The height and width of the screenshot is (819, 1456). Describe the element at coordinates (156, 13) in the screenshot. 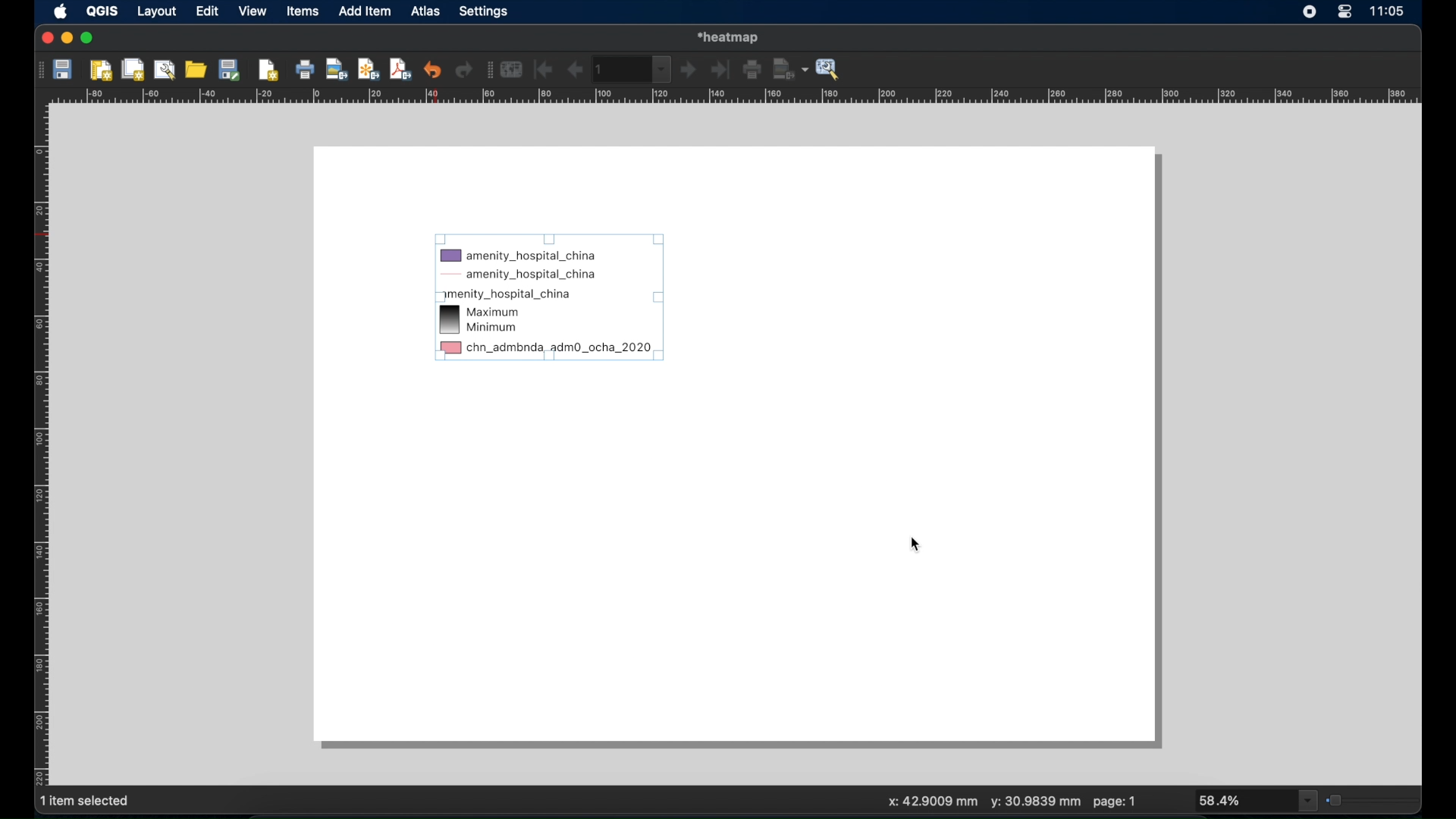

I see `layout` at that location.